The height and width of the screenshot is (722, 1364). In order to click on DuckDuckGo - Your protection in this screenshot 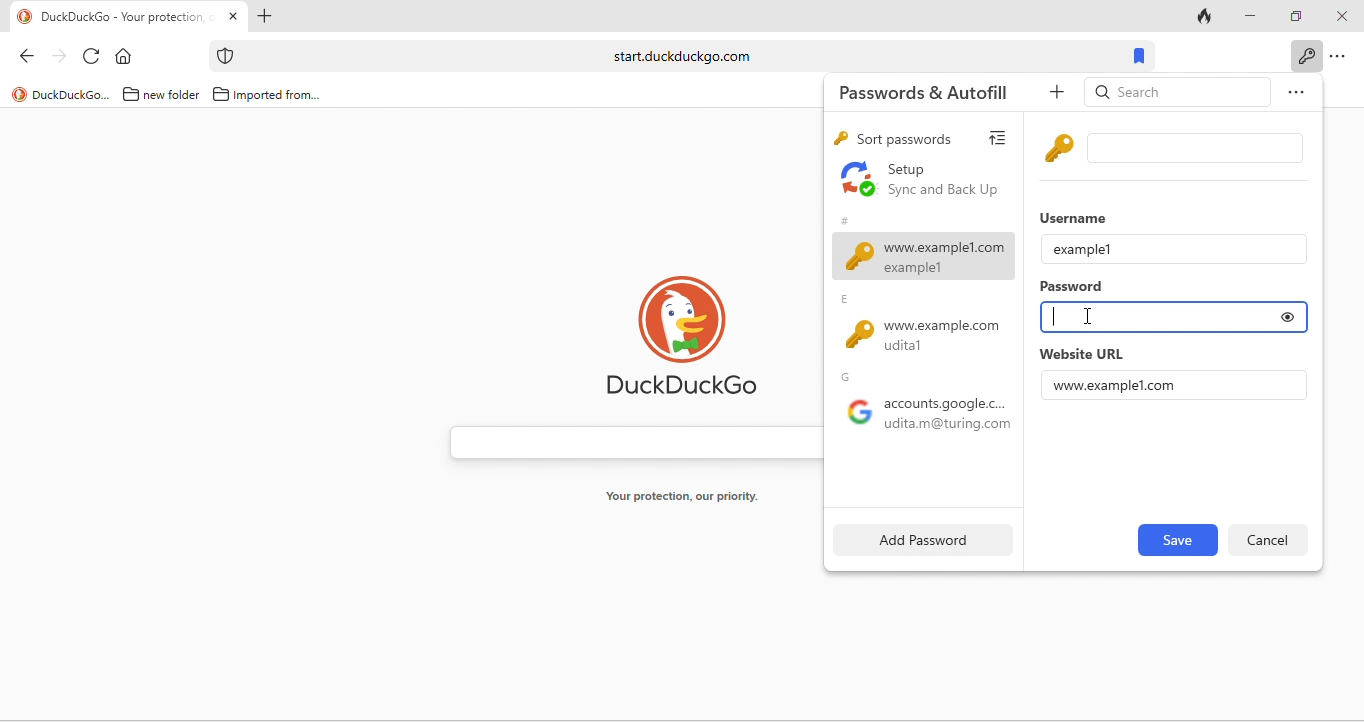, I will do `click(129, 17)`.